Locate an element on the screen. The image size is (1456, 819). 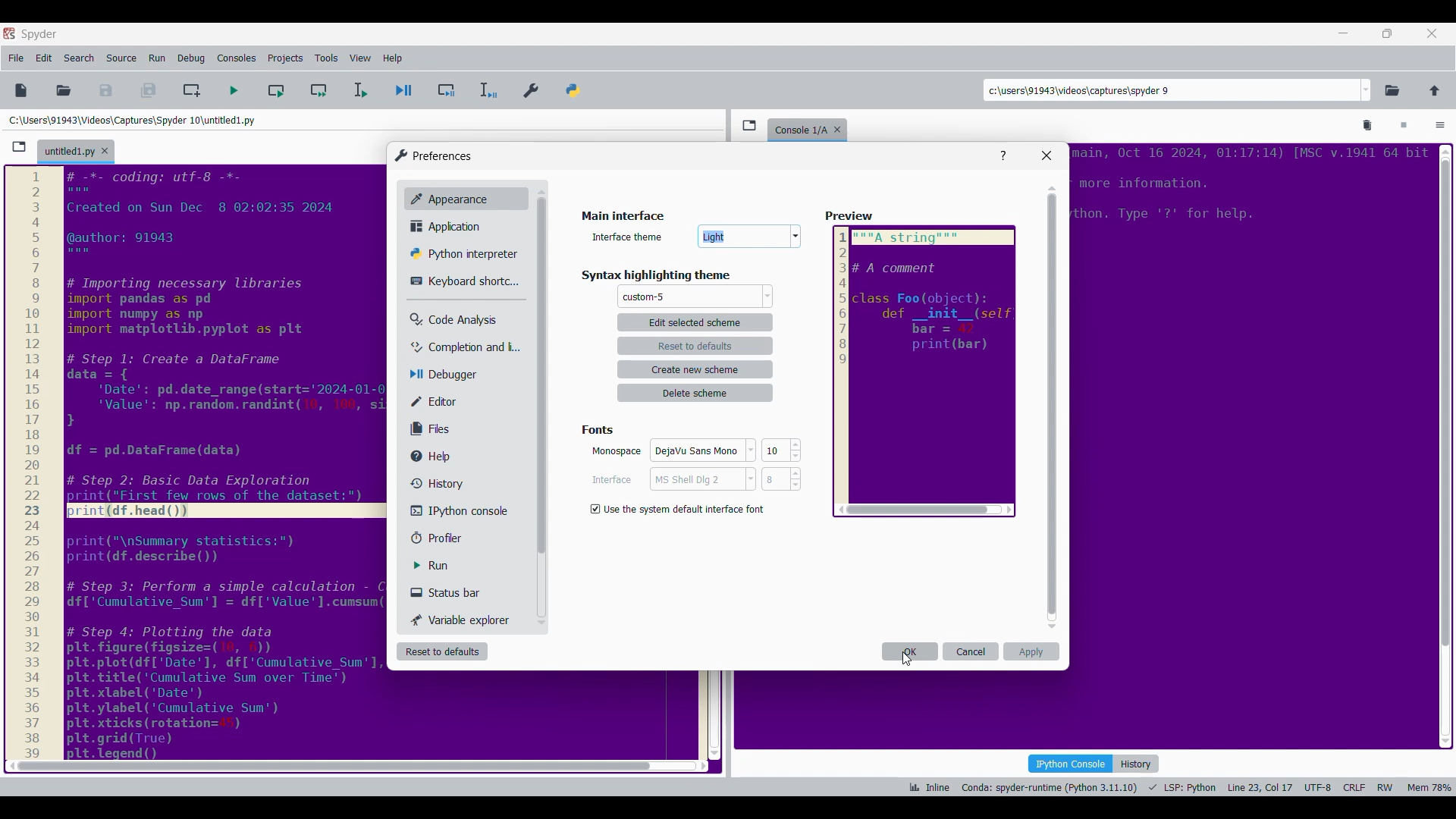
 is located at coordinates (851, 217).